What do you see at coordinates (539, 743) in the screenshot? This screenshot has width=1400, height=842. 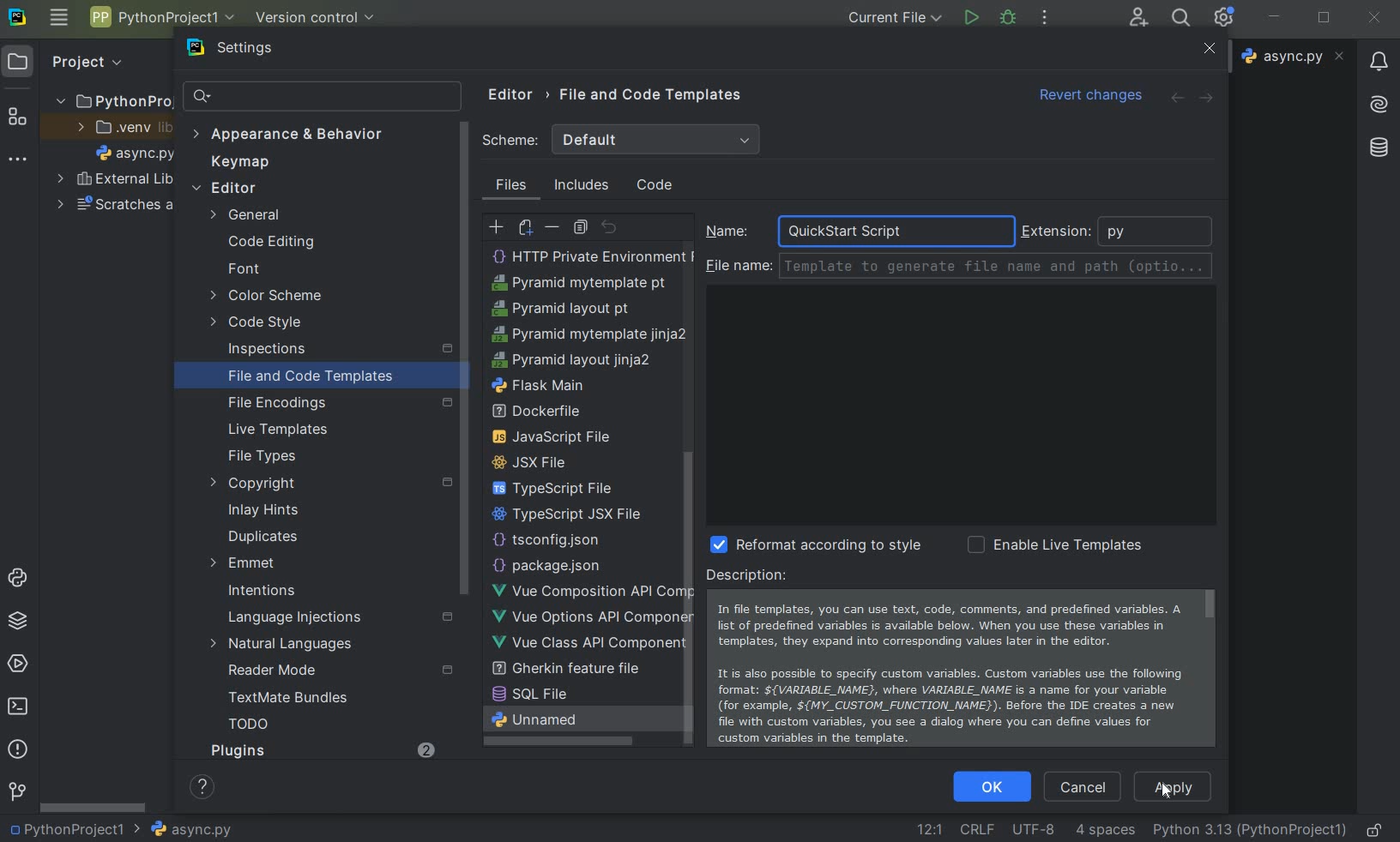 I see `flask main` at bounding box center [539, 743].